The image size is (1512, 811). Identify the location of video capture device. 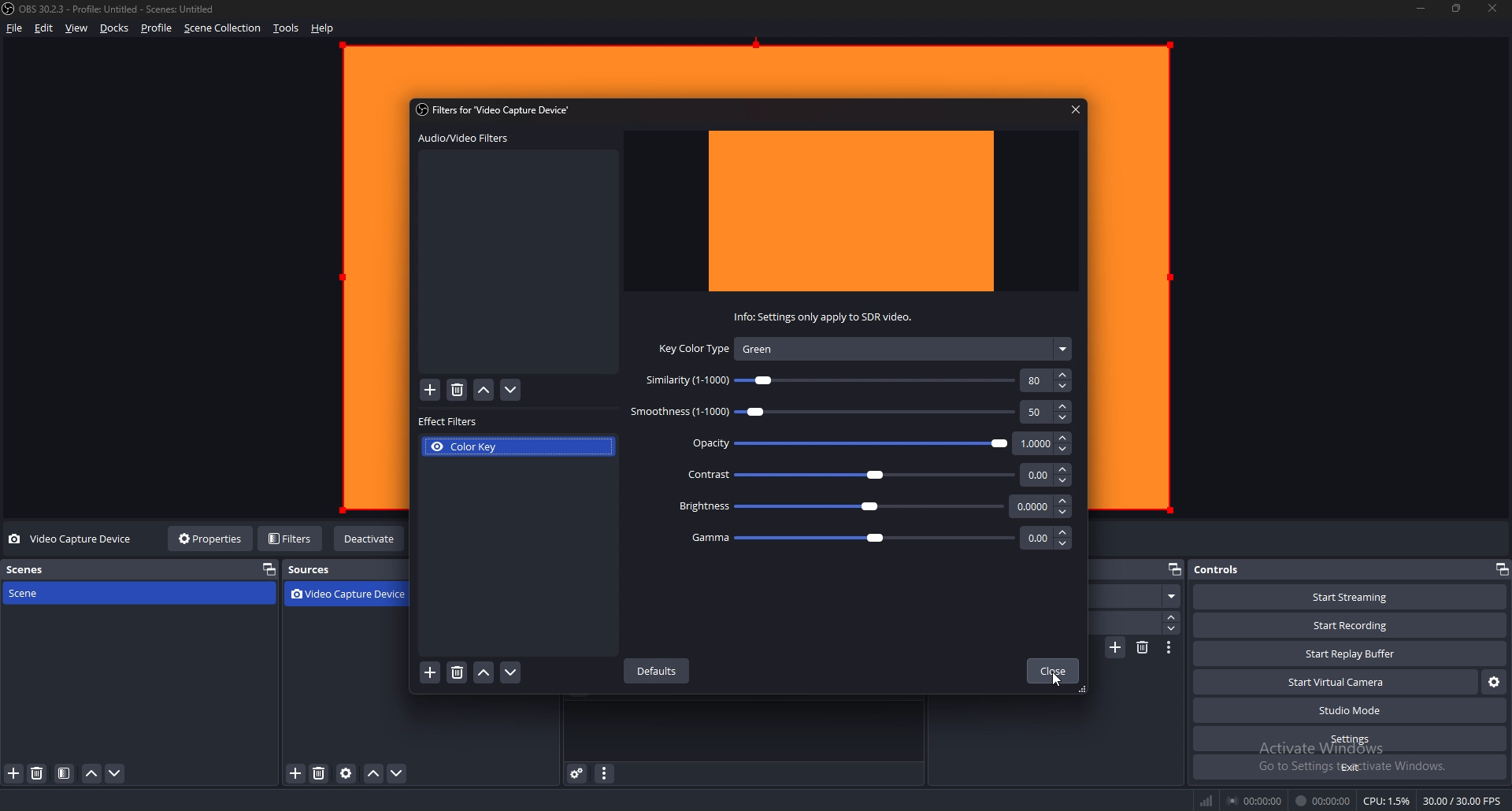
(353, 595).